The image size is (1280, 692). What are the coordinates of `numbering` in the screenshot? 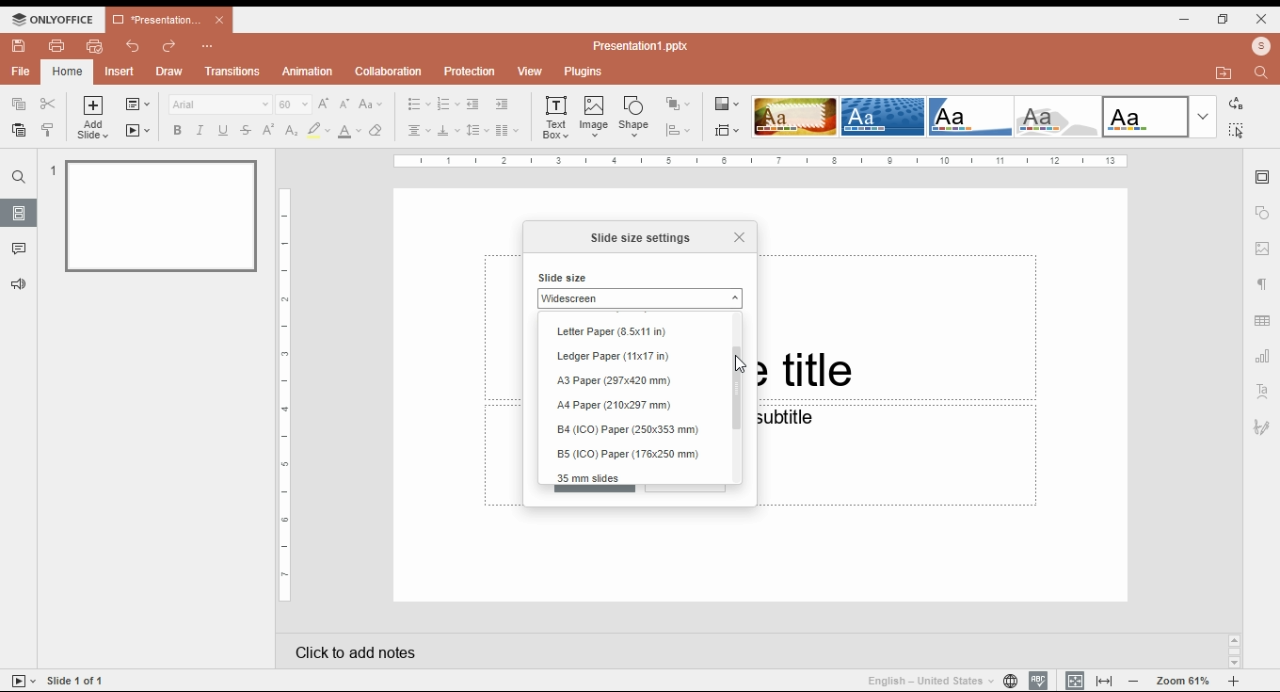 It's located at (448, 105).